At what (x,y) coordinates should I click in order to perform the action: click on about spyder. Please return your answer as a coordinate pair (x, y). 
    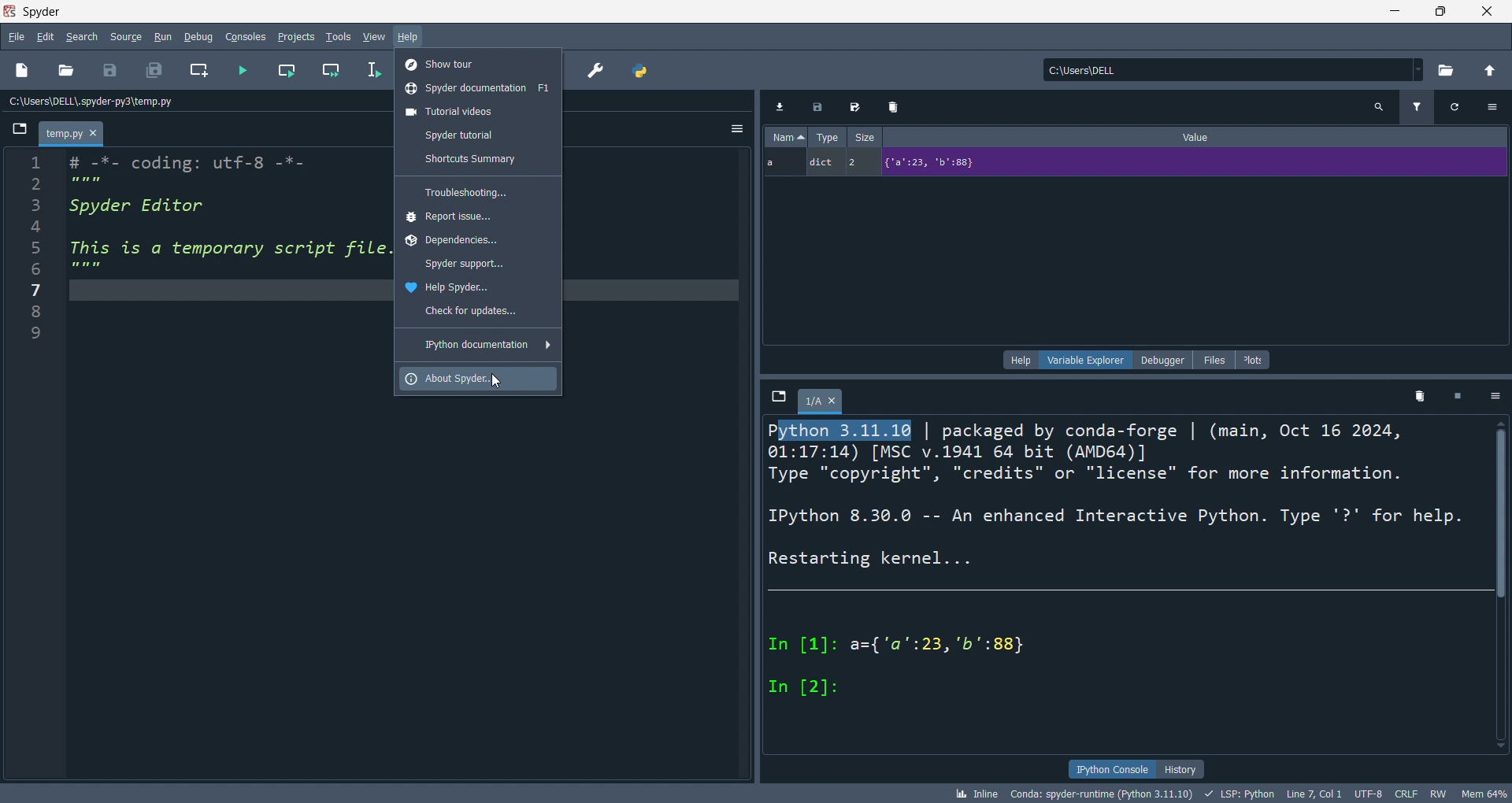
    Looking at the image, I should click on (477, 379).